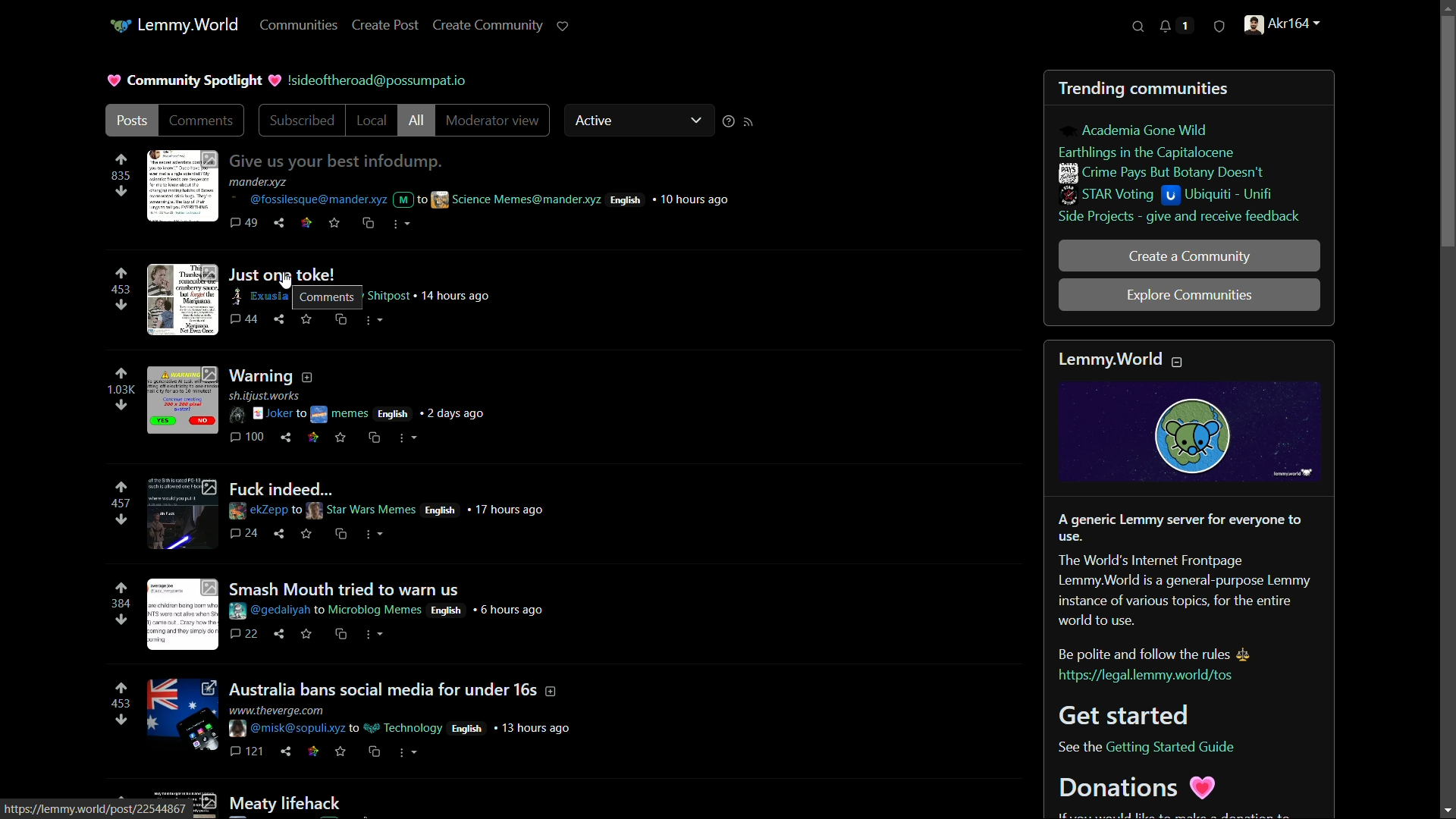  I want to click on more actions, so click(409, 438).